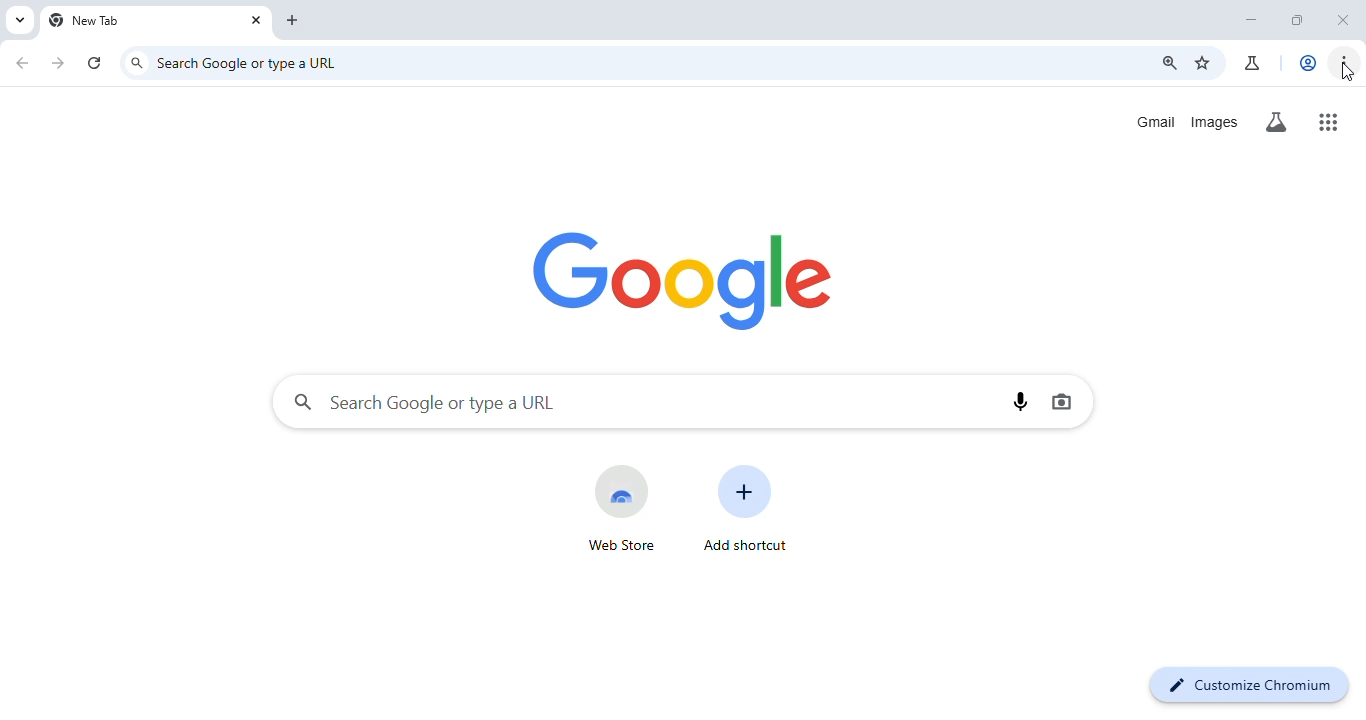 Image resolution: width=1366 pixels, height=720 pixels. What do you see at coordinates (60, 62) in the screenshot?
I see `go forward` at bounding box center [60, 62].